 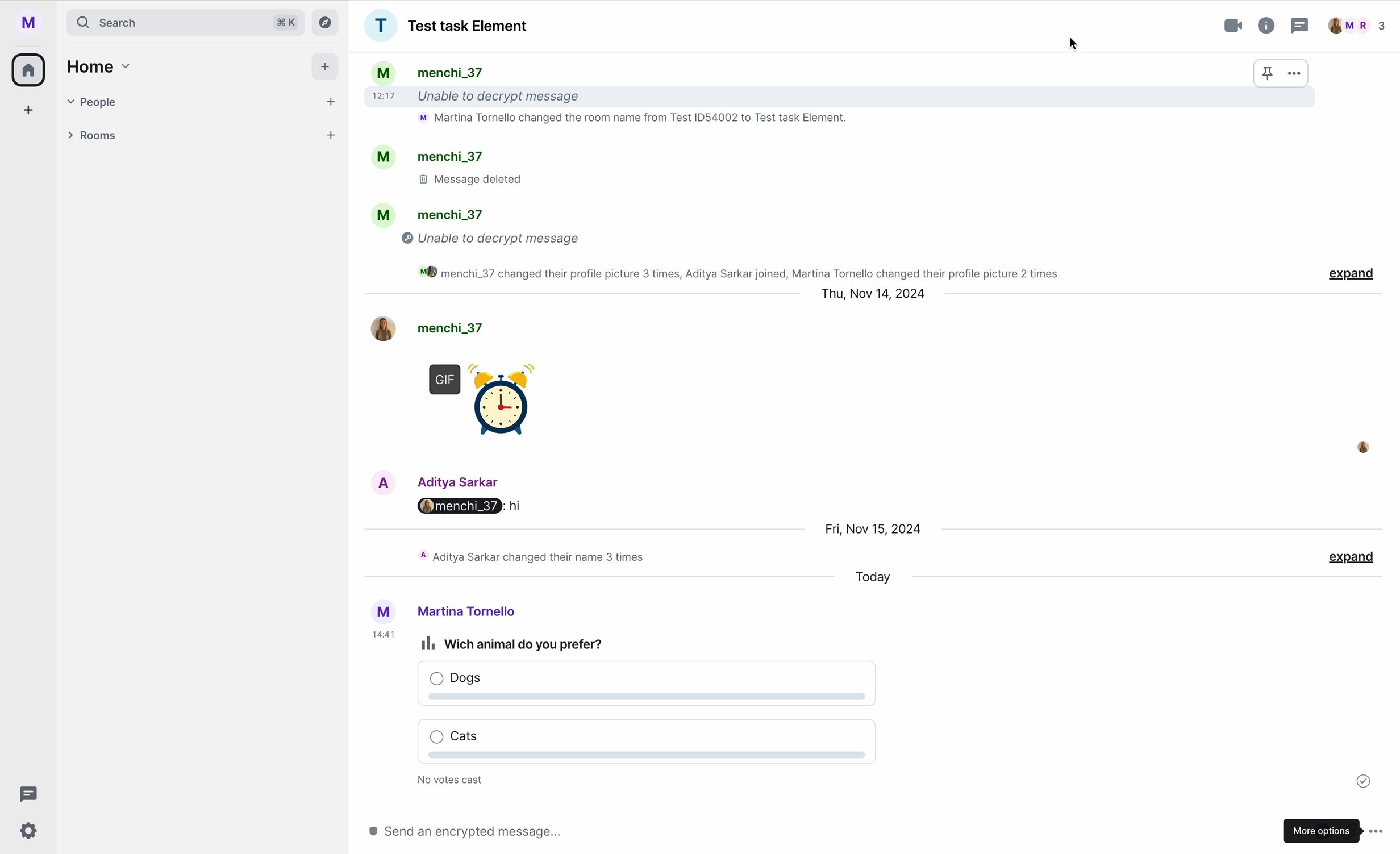 What do you see at coordinates (489, 831) in the screenshot?
I see `send an encrypted message` at bounding box center [489, 831].